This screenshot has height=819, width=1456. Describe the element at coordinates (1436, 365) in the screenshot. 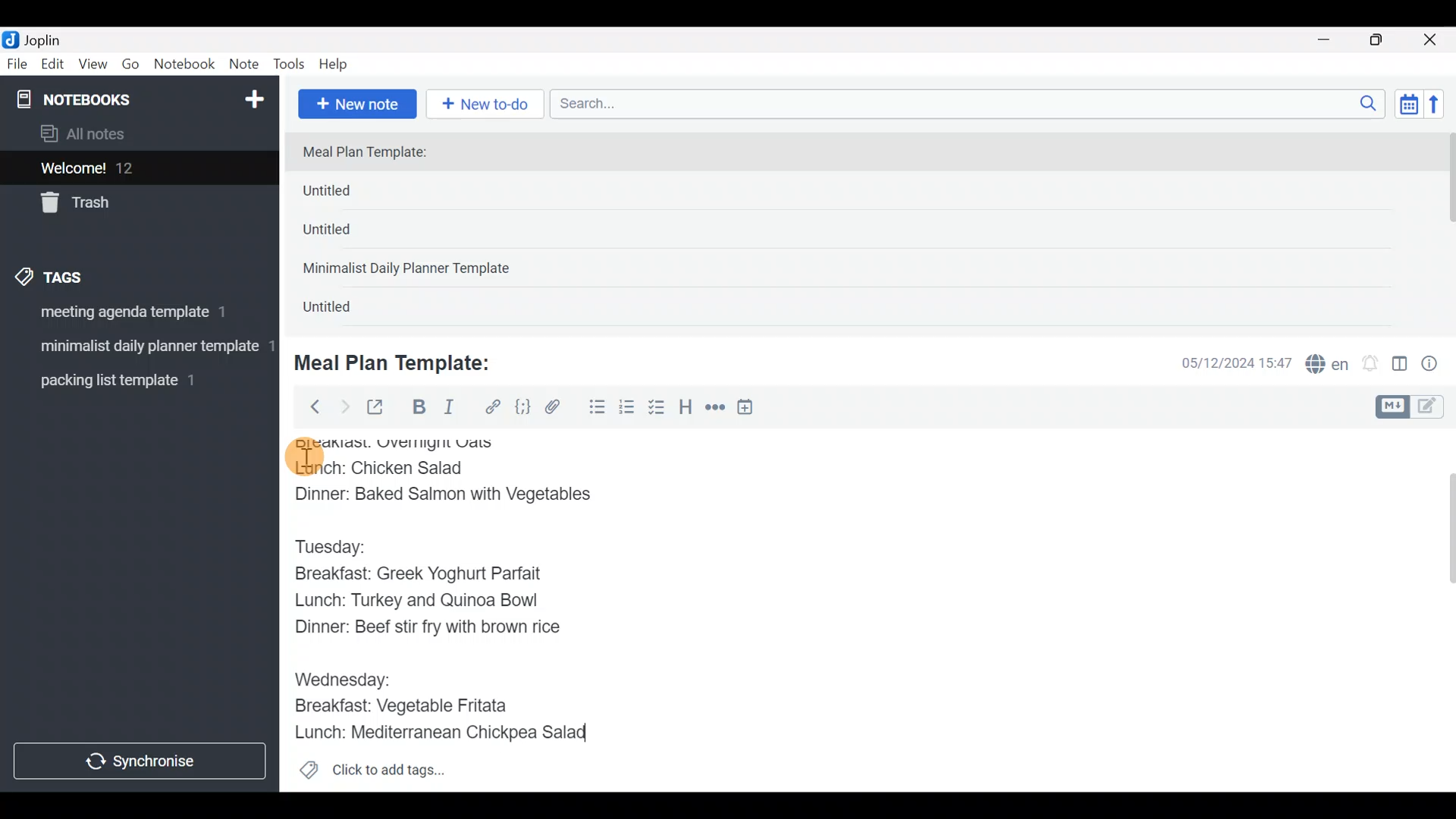

I see `Note properties` at that location.